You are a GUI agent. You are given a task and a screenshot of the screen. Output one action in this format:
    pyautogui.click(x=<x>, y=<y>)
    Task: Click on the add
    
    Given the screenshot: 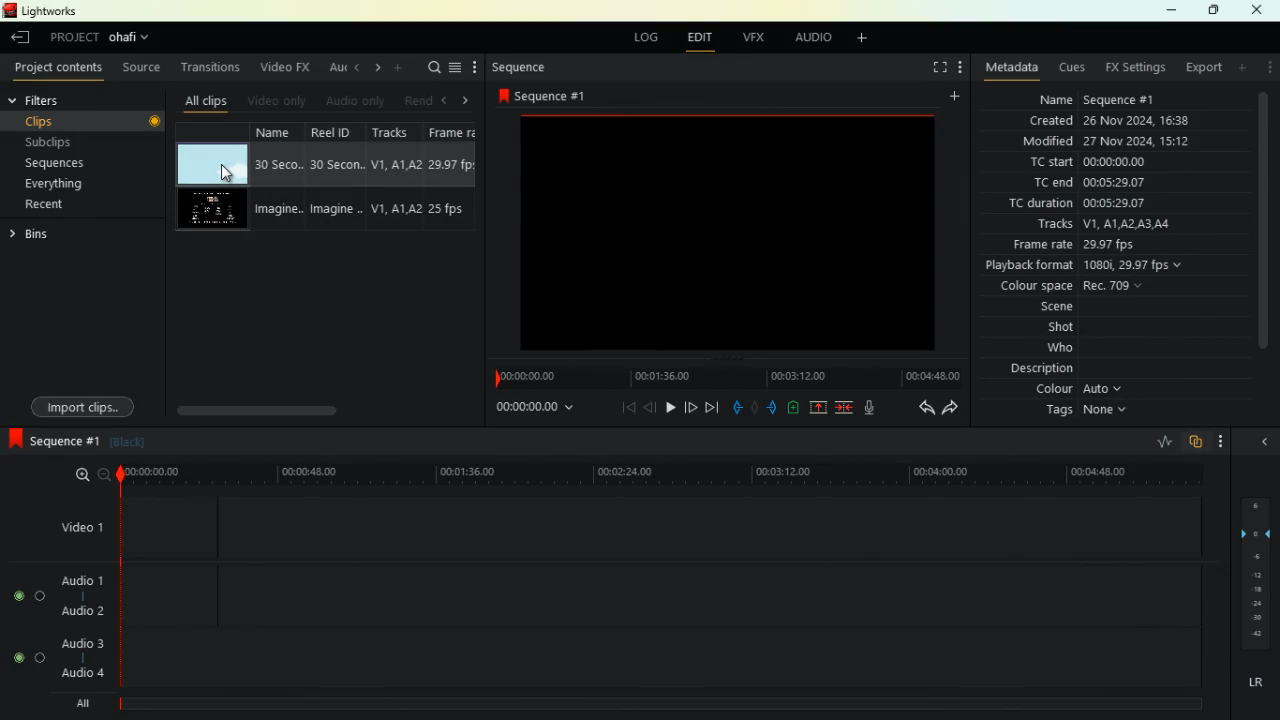 What is the action you would take?
    pyautogui.click(x=952, y=97)
    